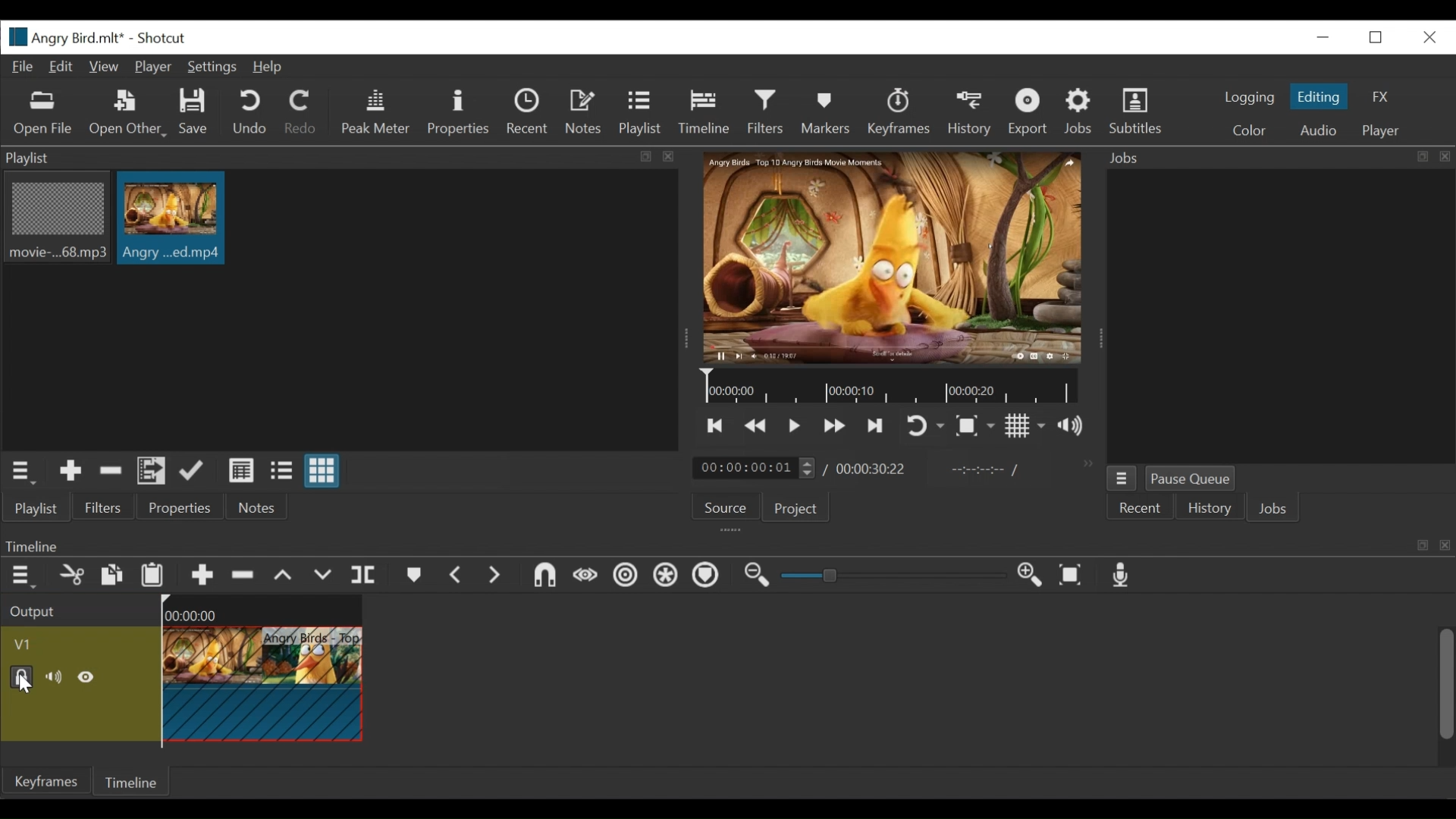 The width and height of the screenshot is (1456, 819). Describe the element at coordinates (974, 426) in the screenshot. I see `Toggle Zoom` at that location.